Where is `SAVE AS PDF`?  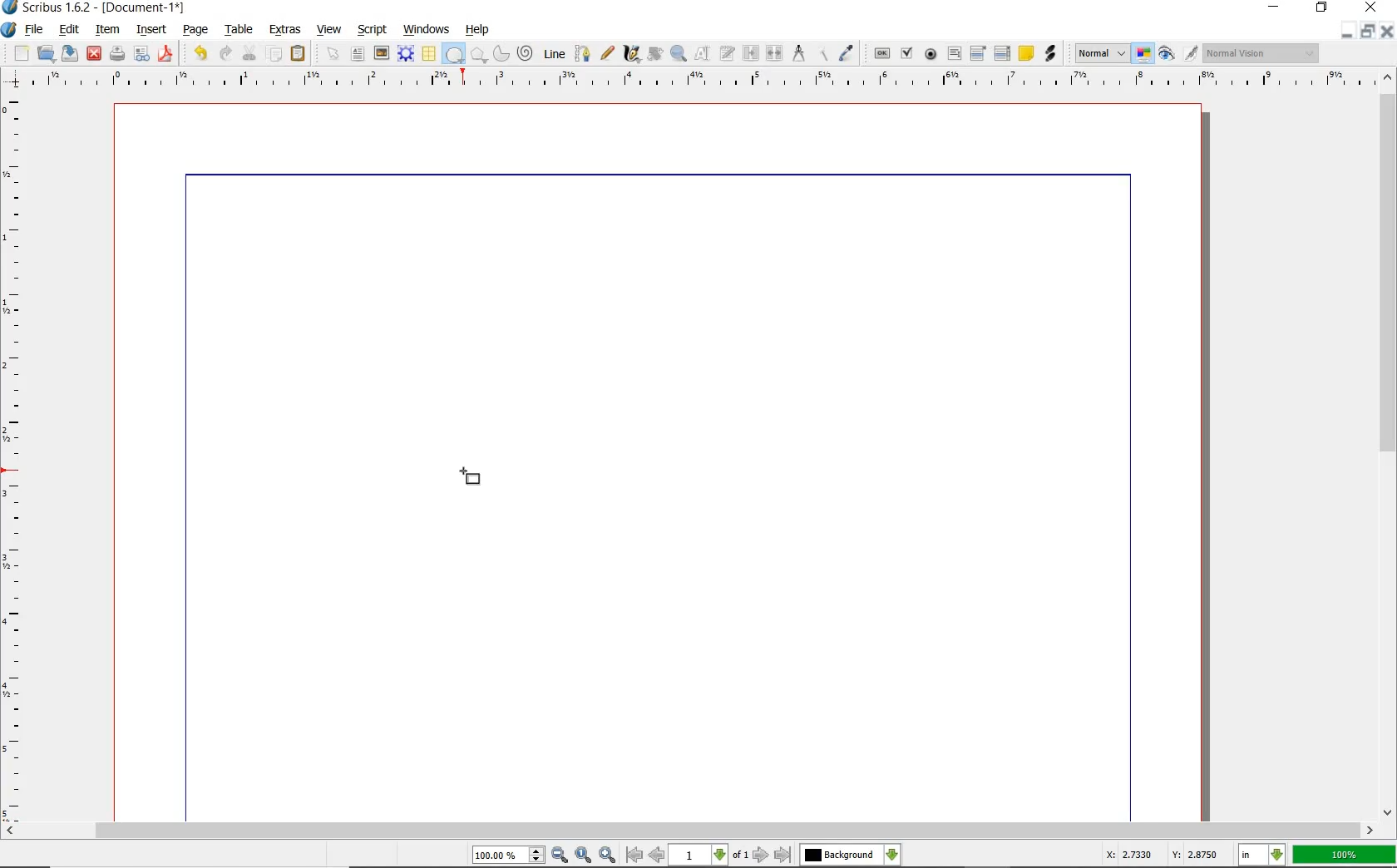 SAVE AS PDF is located at coordinates (167, 55).